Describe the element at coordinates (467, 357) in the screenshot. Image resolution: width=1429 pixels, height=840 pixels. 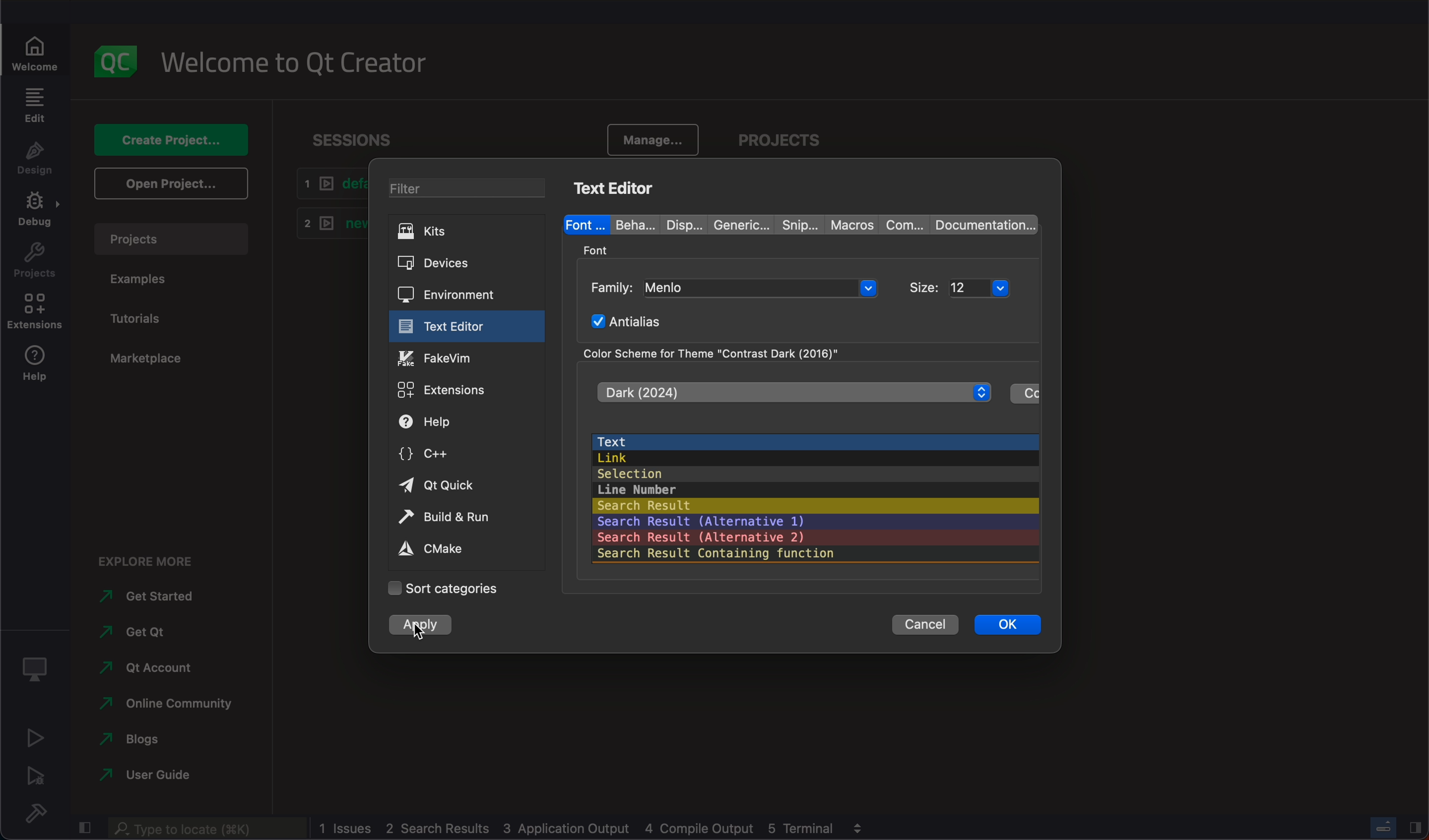
I see `fakevim` at that location.